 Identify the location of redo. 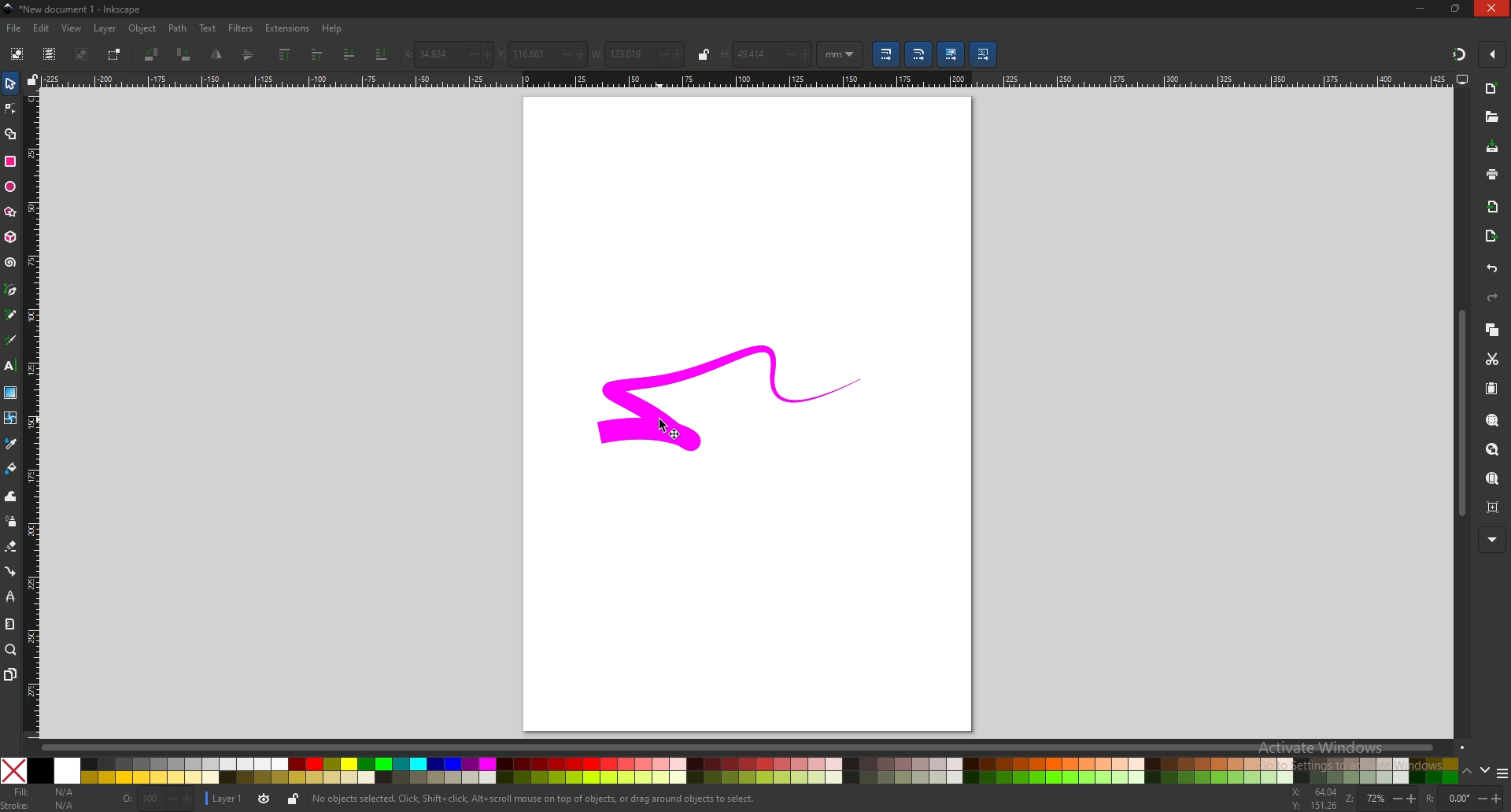
(1493, 298).